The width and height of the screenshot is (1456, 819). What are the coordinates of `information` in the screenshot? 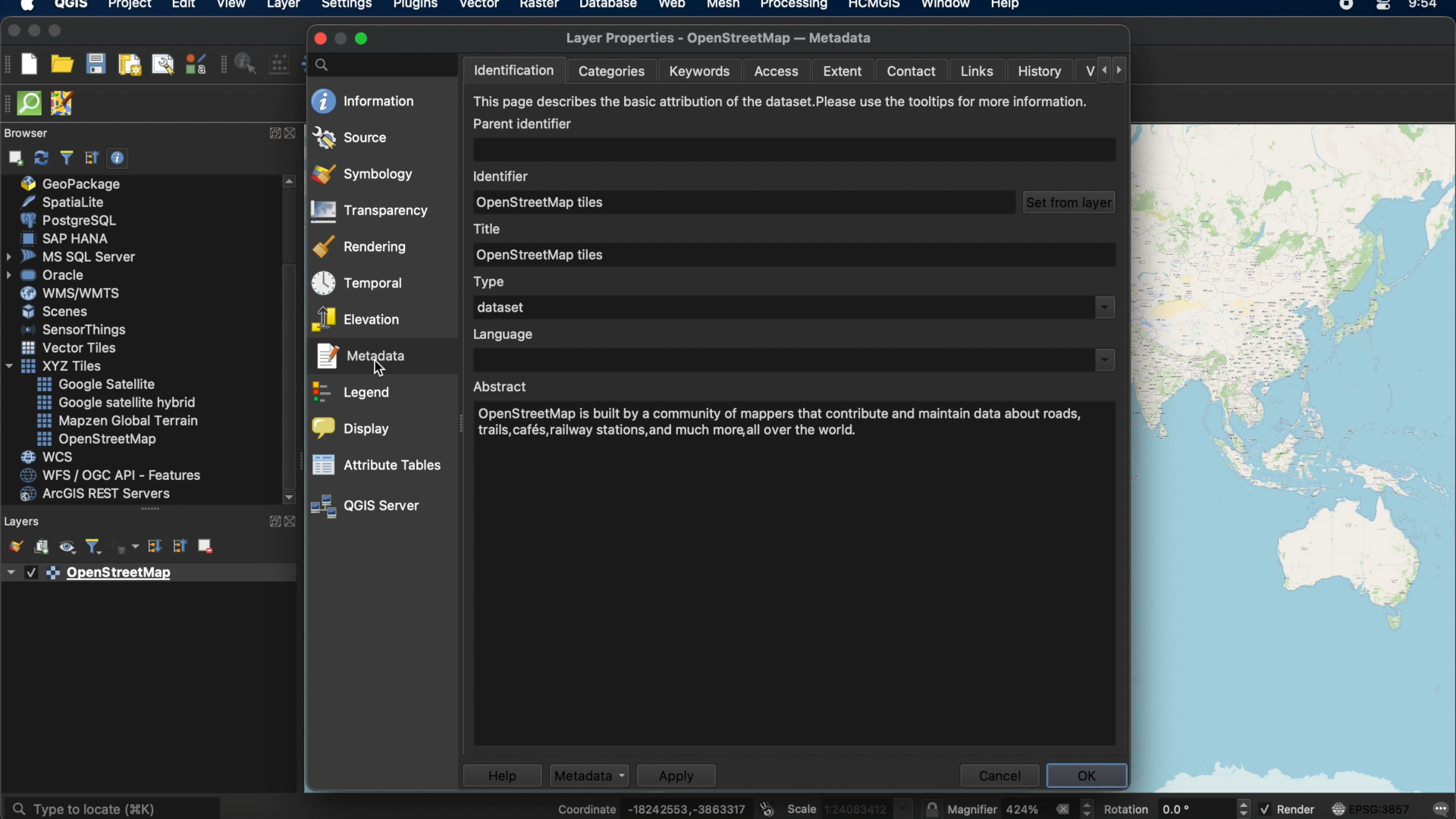 It's located at (363, 101).